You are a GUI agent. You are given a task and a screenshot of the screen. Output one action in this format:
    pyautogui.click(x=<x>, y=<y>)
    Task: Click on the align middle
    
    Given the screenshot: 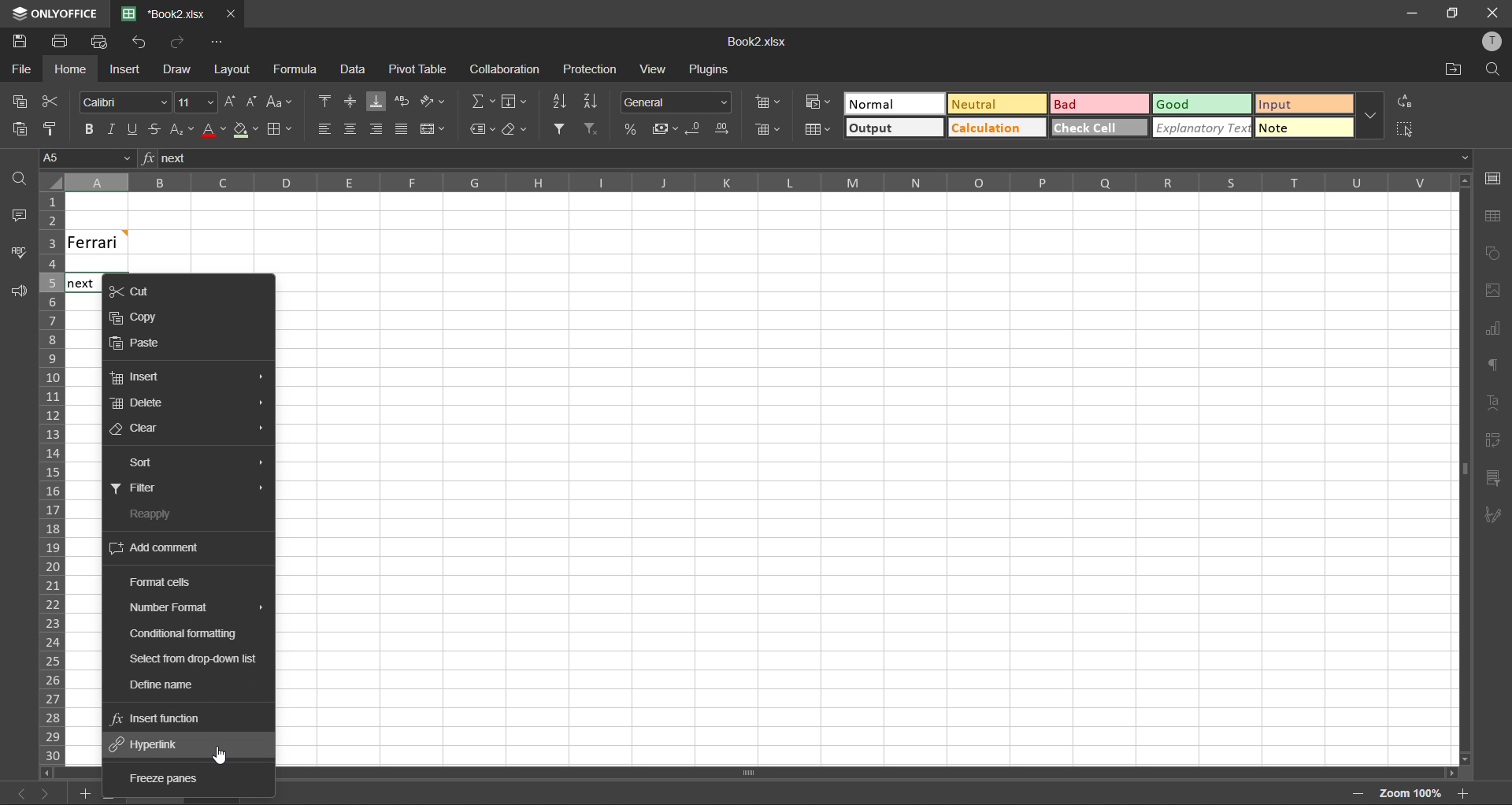 What is the action you would take?
    pyautogui.click(x=352, y=102)
    